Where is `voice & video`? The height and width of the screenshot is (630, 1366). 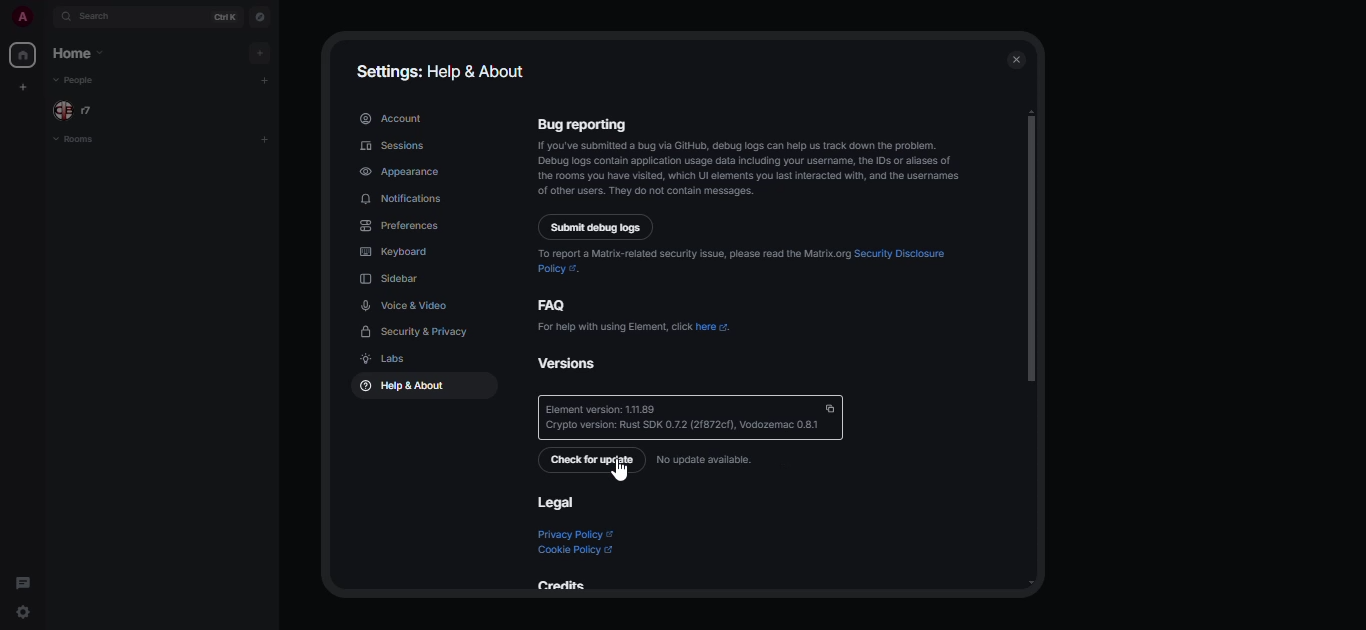 voice & video is located at coordinates (405, 305).